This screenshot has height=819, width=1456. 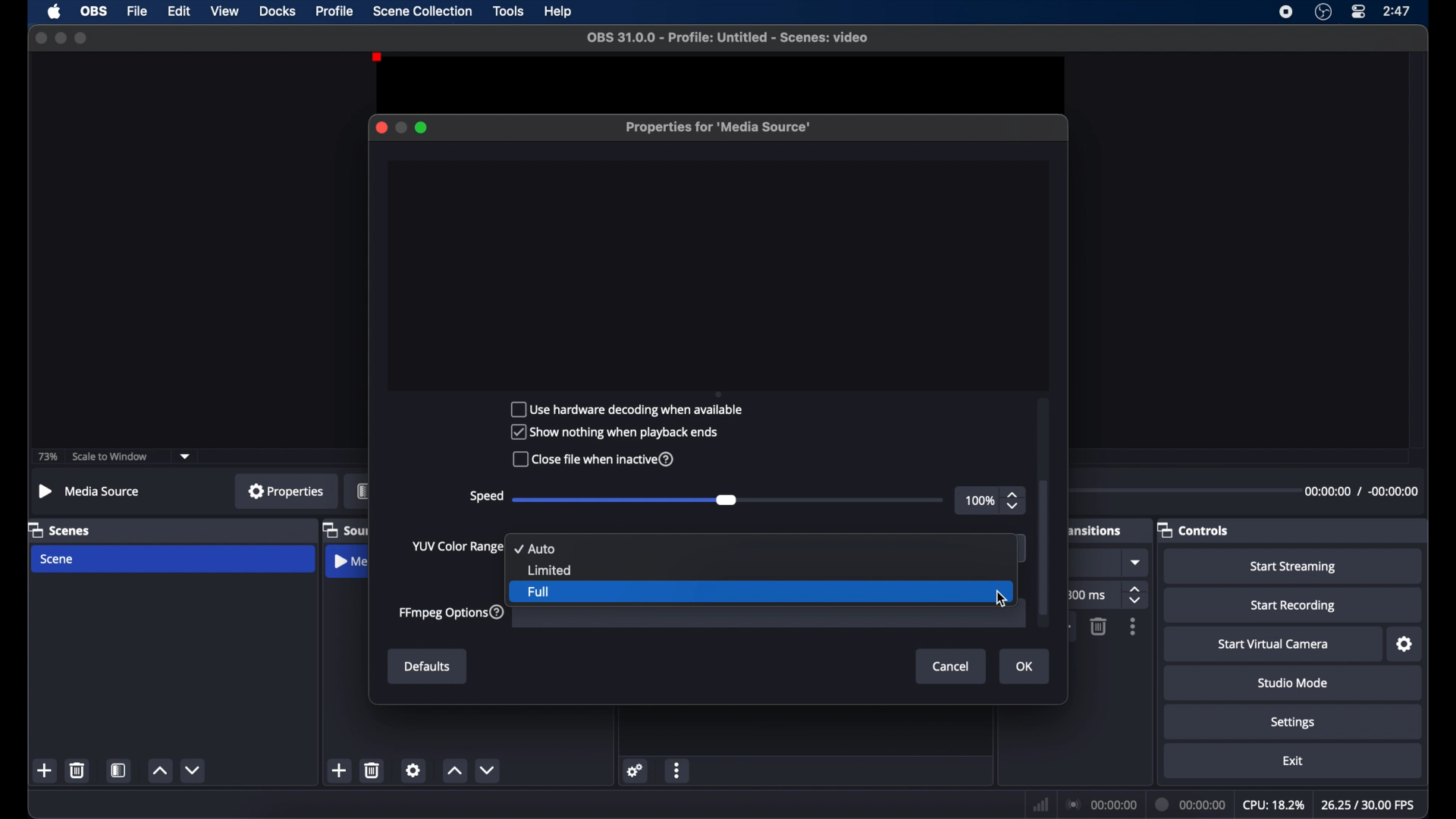 What do you see at coordinates (636, 770) in the screenshot?
I see `settings` at bounding box center [636, 770].